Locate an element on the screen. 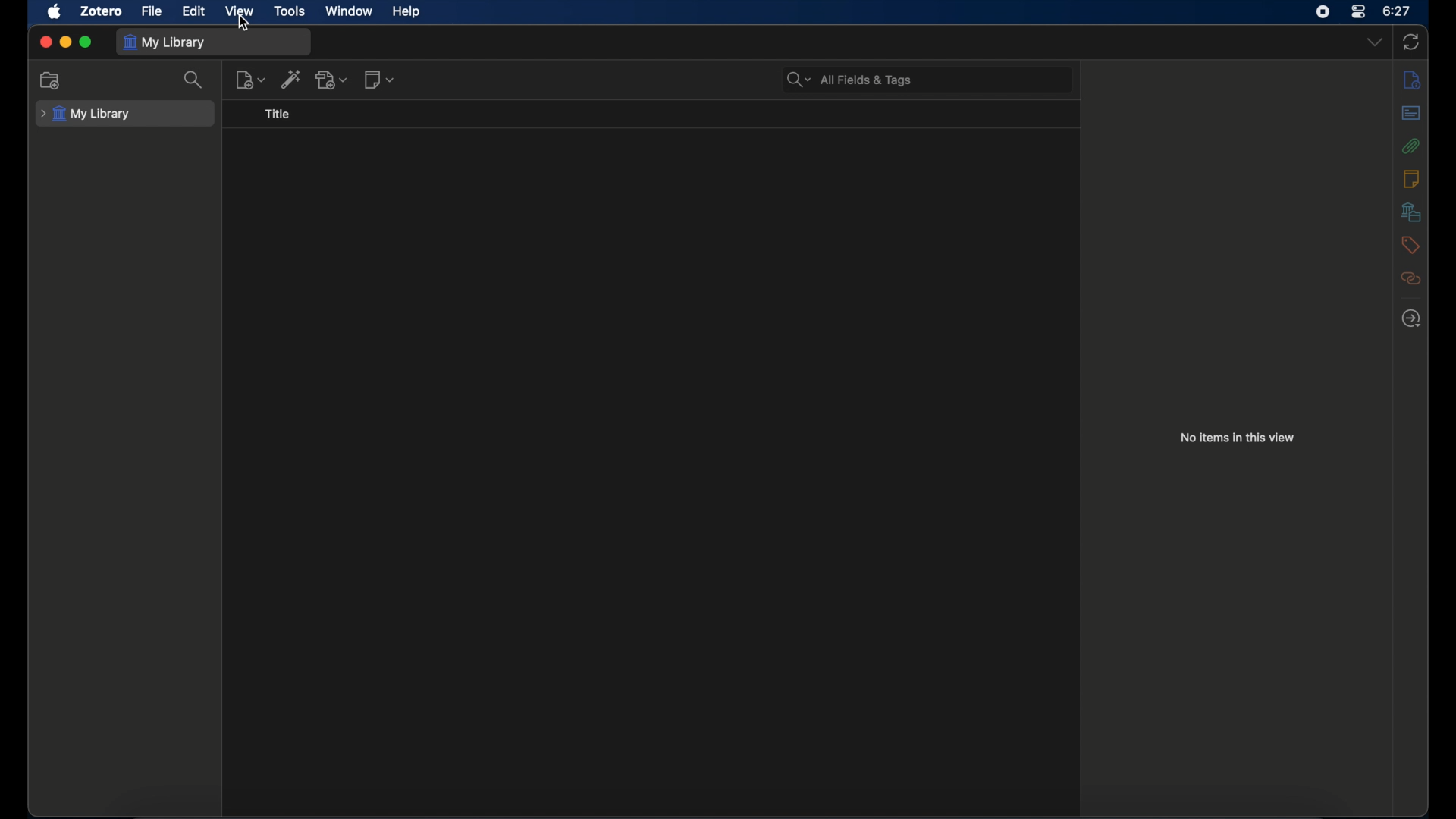 Image resolution: width=1456 pixels, height=819 pixels. tools is located at coordinates (290, 11).